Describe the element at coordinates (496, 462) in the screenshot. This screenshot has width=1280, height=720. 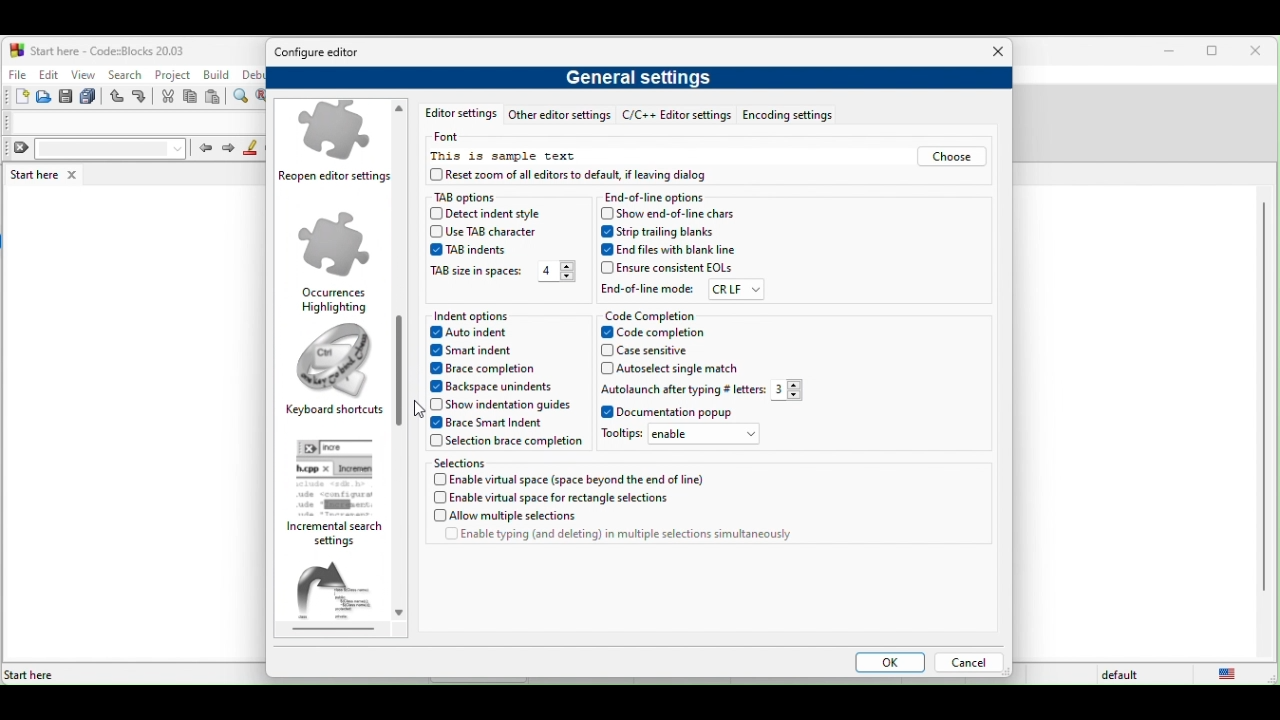
I see `selections` at that location.